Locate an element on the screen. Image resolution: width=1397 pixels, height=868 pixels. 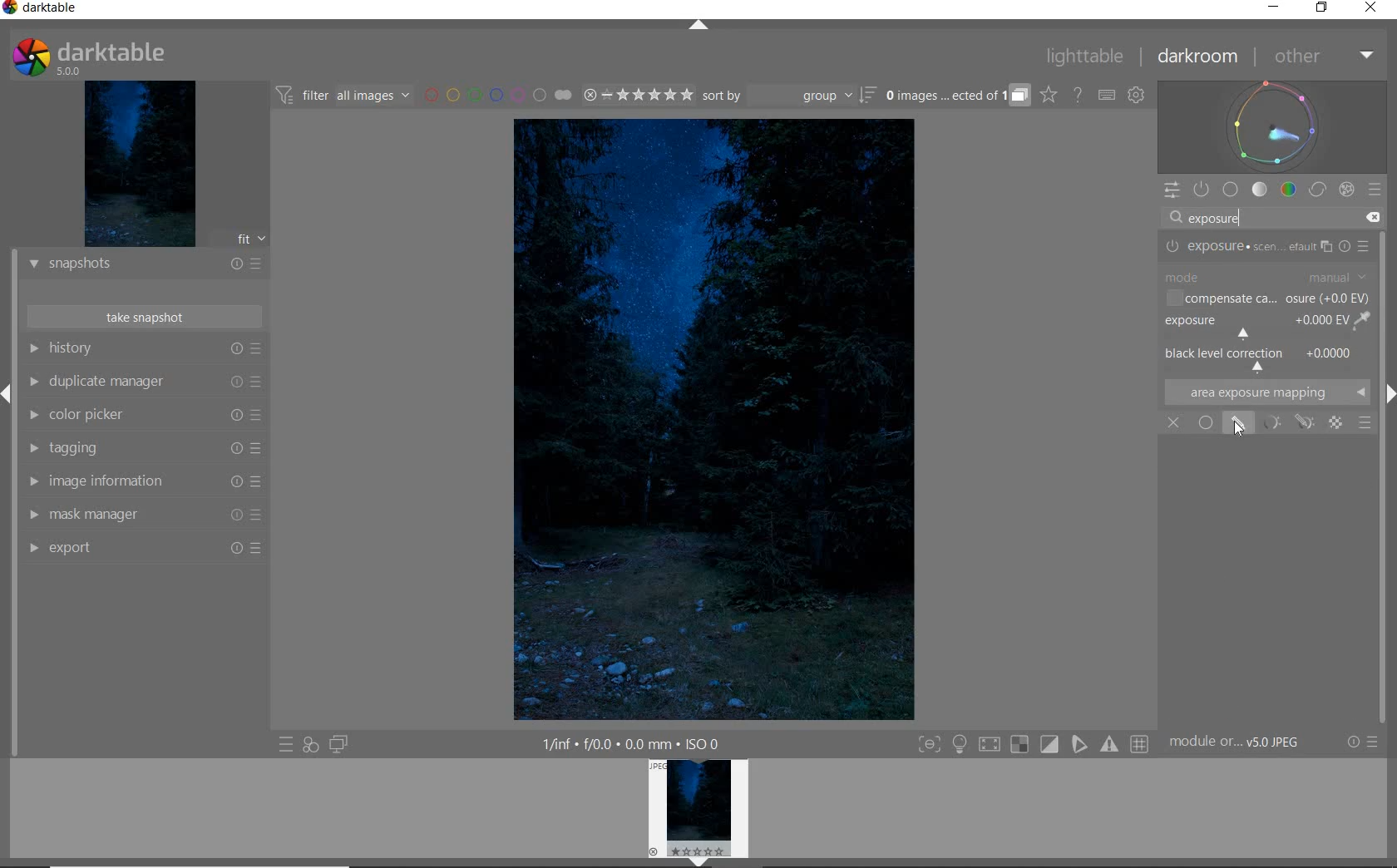
AREA EXPOSURE MAPPING is located at coordinates (1266, 391).